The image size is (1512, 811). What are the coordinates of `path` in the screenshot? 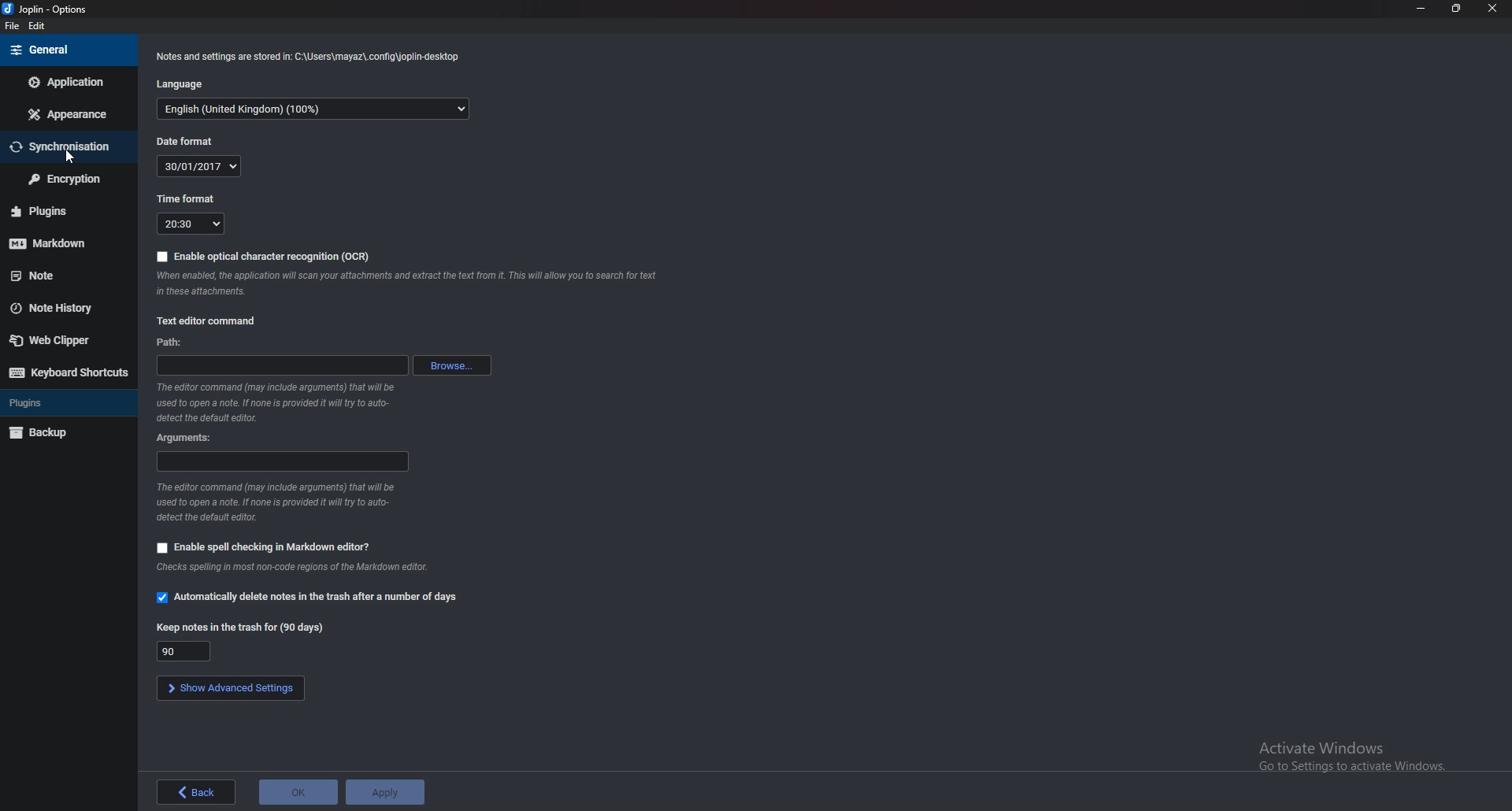 It's located at (172, 342).